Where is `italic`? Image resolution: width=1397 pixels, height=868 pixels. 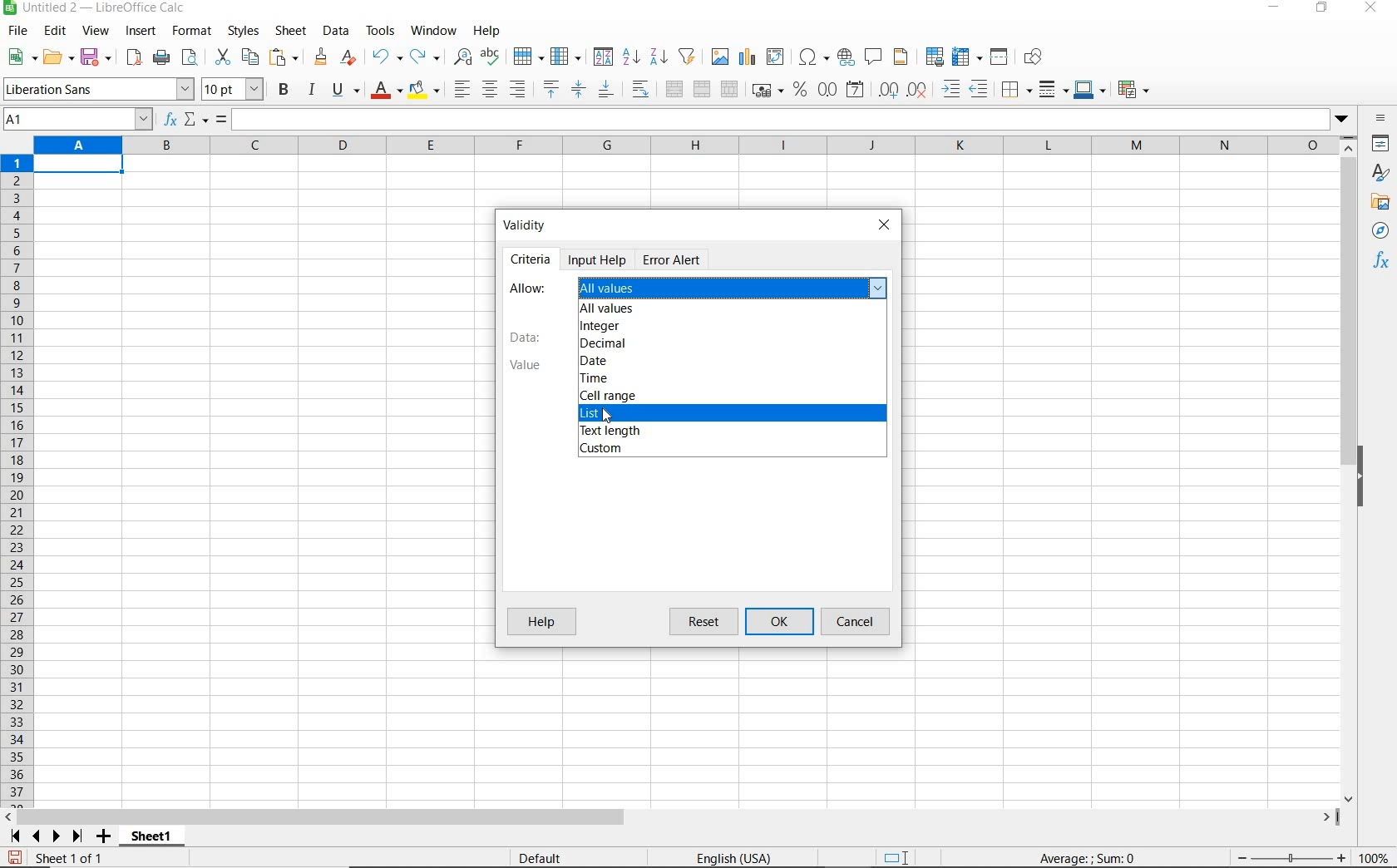
italic is located at coordinates (311, 90).